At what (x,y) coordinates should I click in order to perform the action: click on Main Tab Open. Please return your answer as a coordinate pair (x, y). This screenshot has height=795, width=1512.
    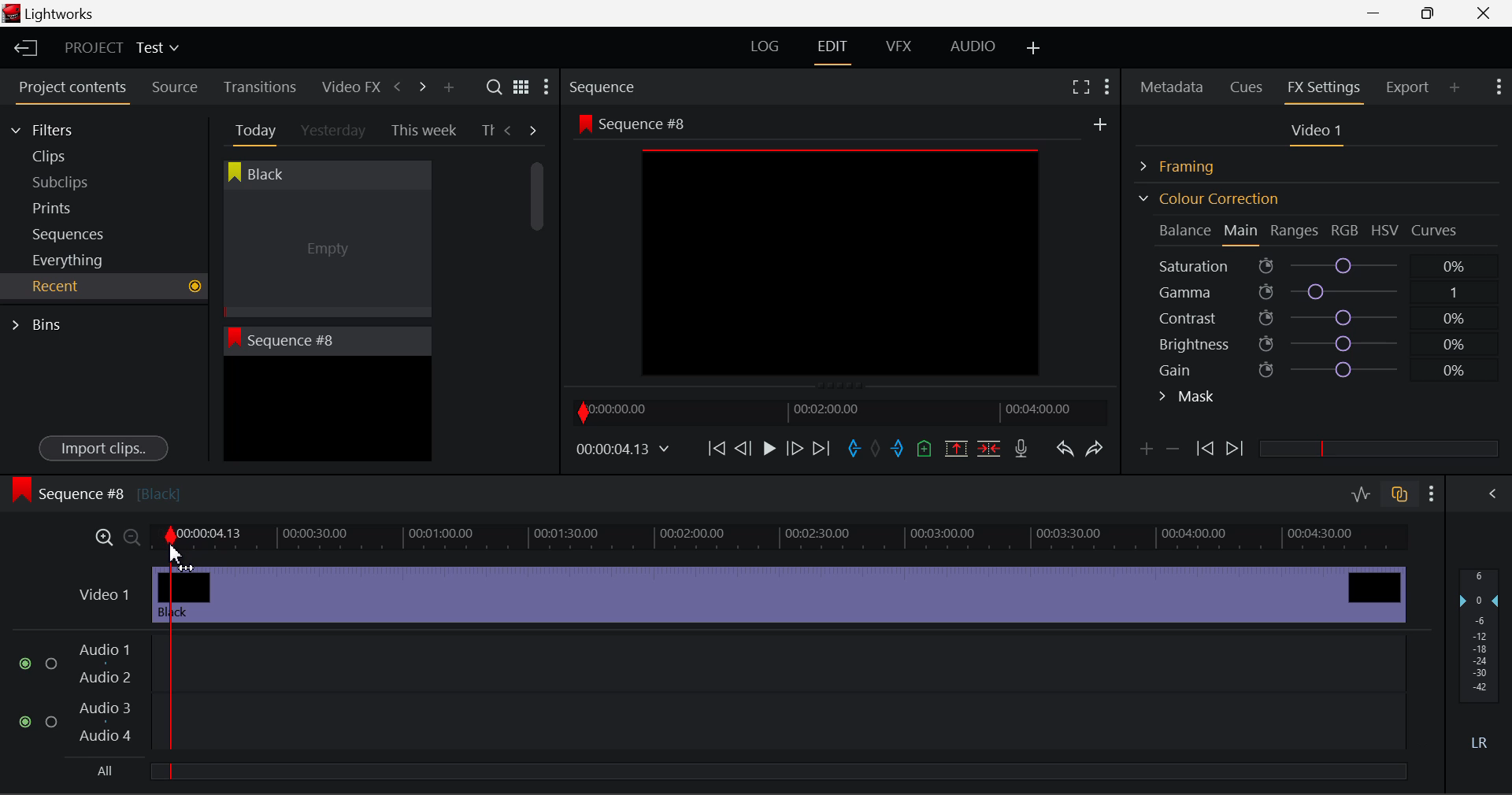
    Looking at the image, I should click on (1242, 232).